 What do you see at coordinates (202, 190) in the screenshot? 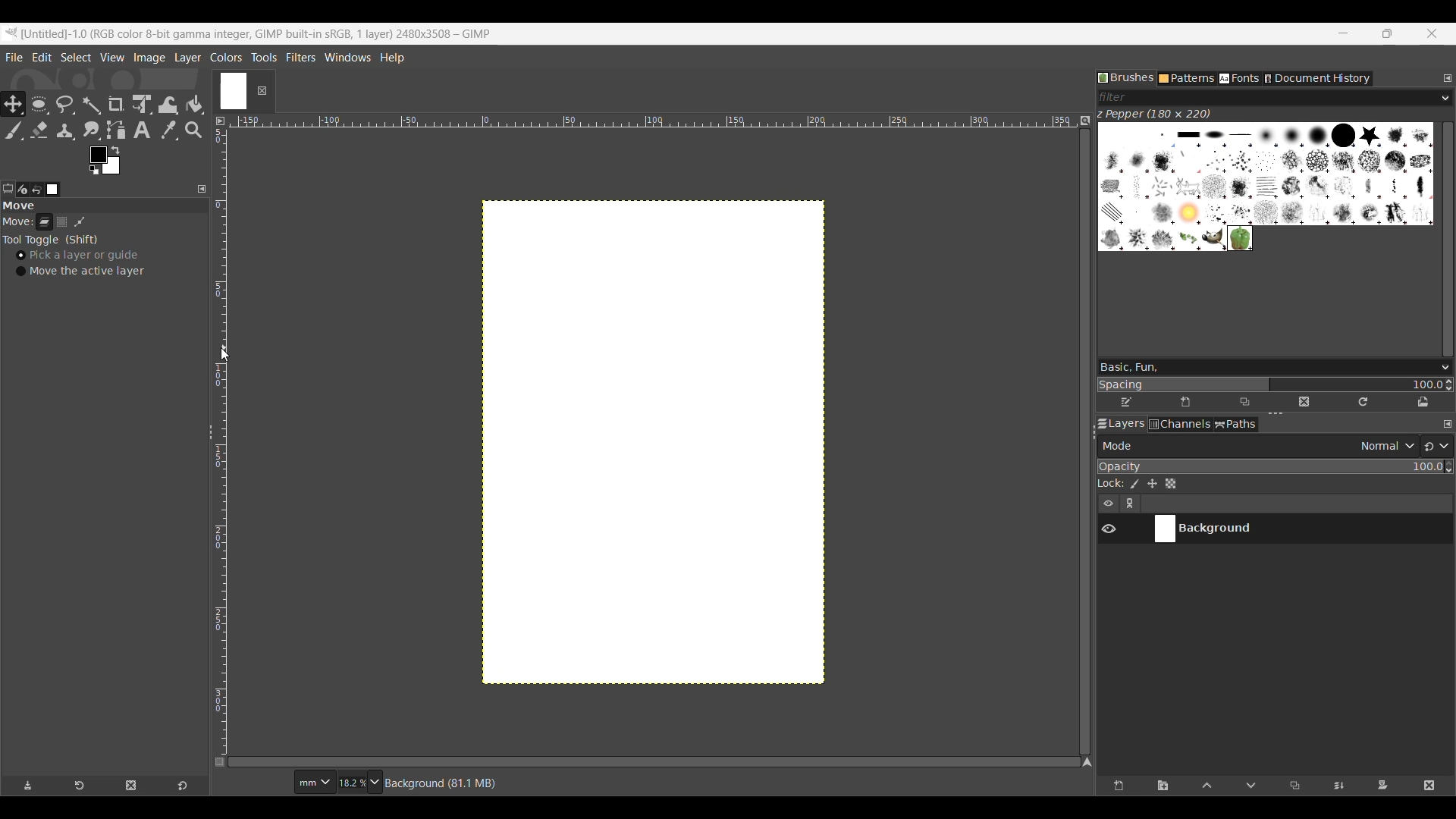
I see `Configure this tab` at bounding box center [202, 190].